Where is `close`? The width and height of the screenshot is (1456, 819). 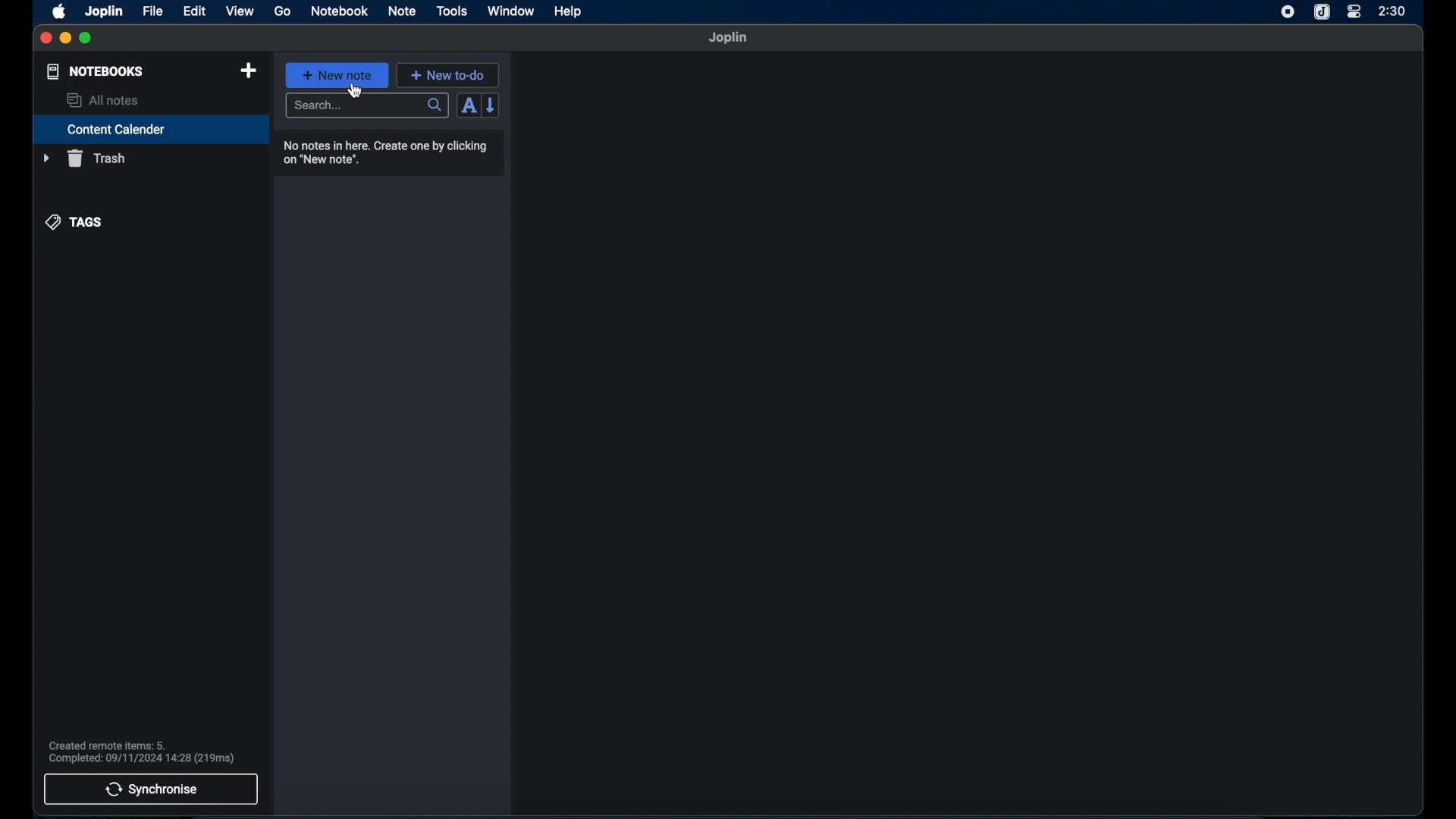
close is located at coordinates (45, 39).